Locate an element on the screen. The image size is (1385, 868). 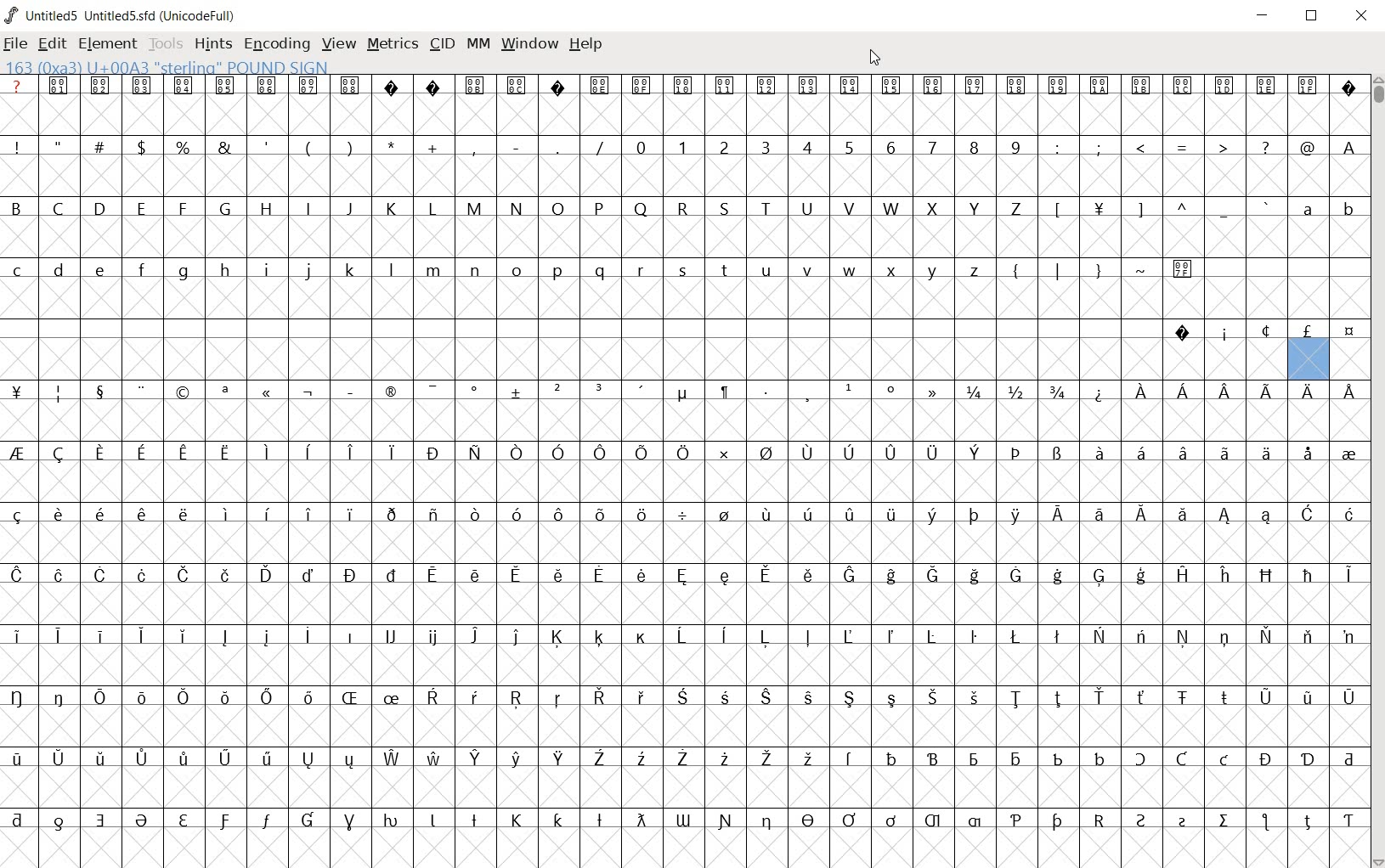
Symbol is located at coordinates (432, 757).